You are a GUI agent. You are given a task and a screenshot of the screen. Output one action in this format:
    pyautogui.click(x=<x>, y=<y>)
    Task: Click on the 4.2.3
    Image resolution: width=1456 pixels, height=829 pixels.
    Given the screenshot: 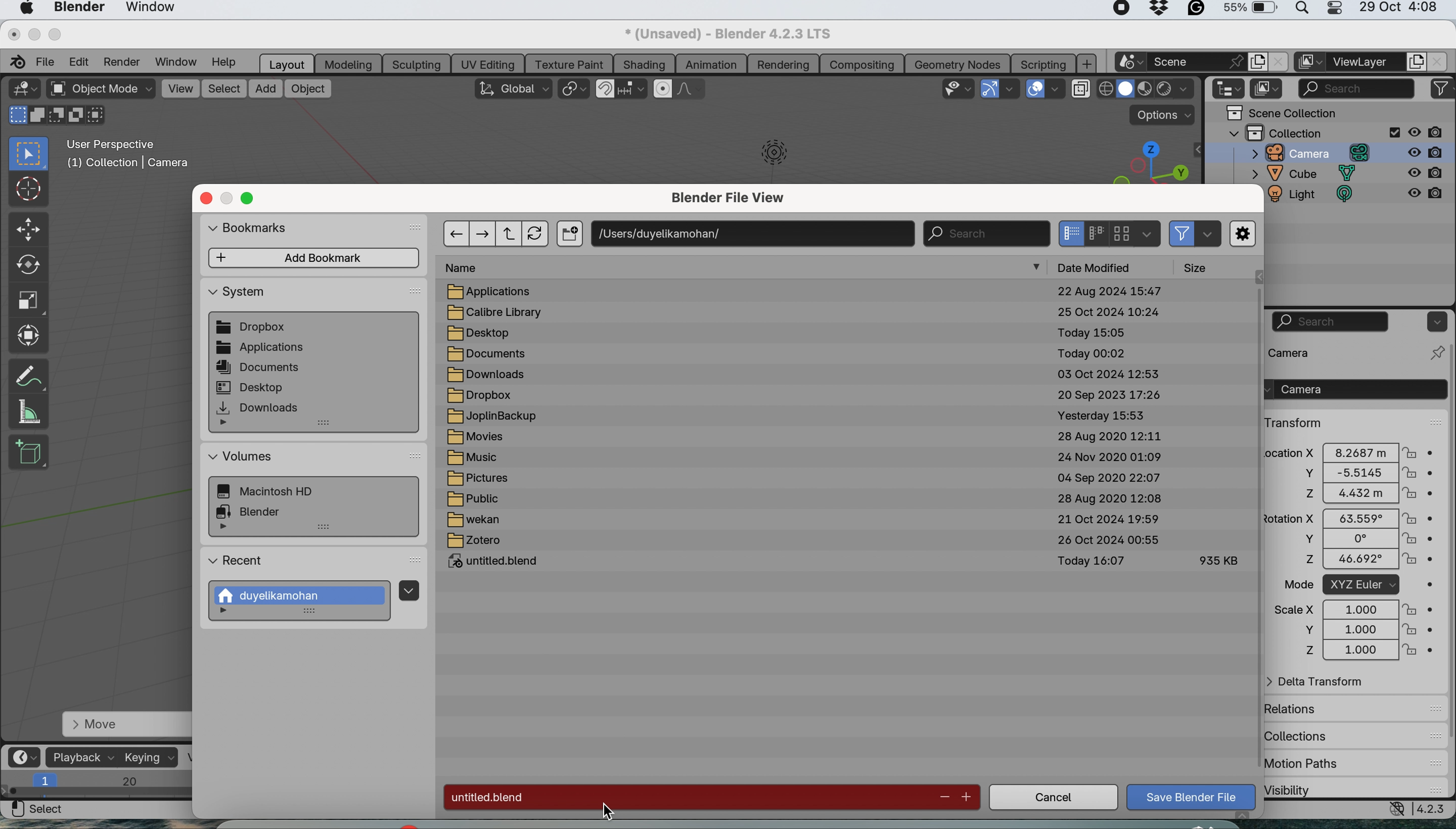 What is the action you would take?
    pyautogui.click(x=1433, y=809)
    